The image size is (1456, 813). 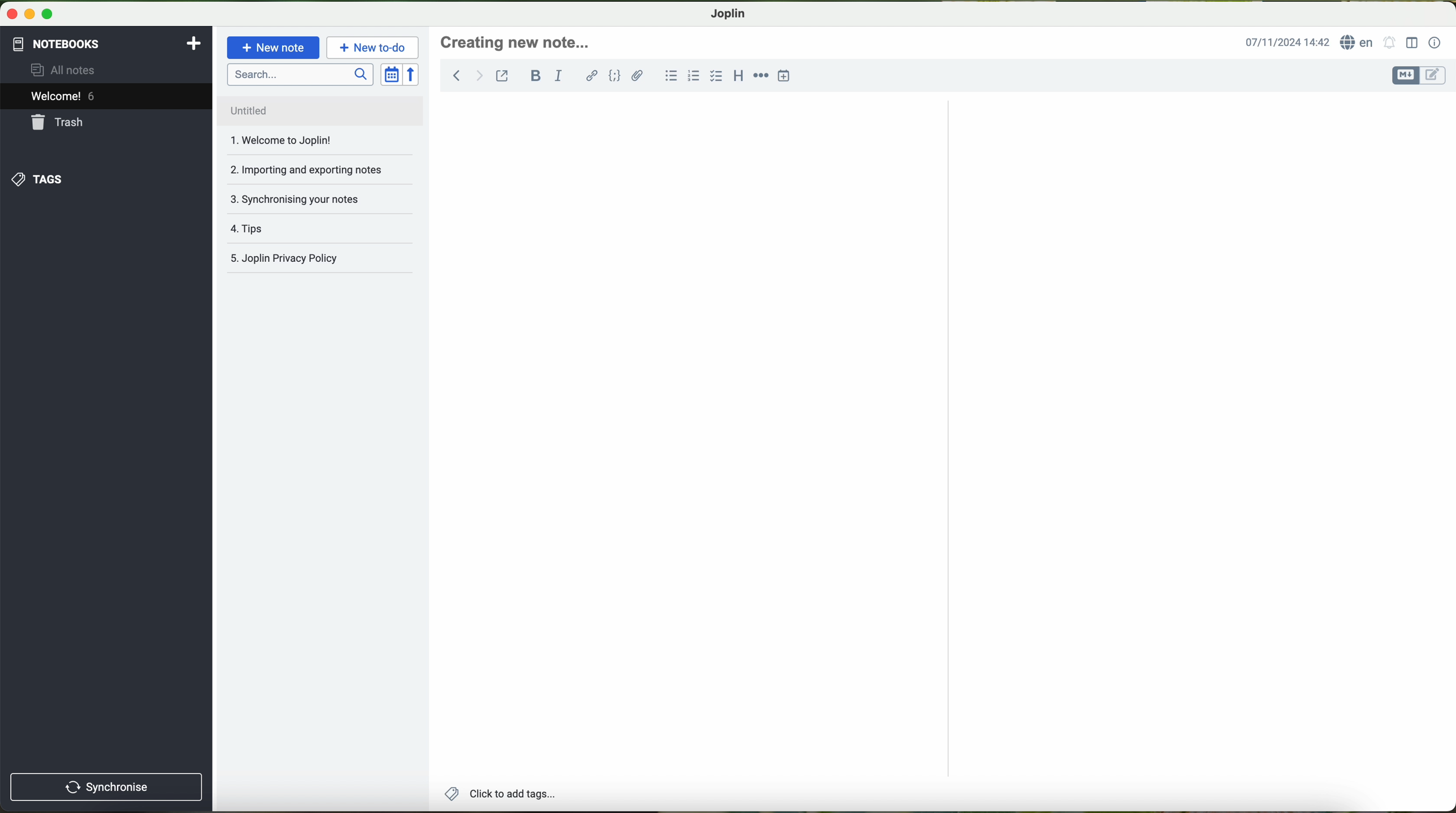 I want to click on toggle sort order field, so click(x=389, y=75).